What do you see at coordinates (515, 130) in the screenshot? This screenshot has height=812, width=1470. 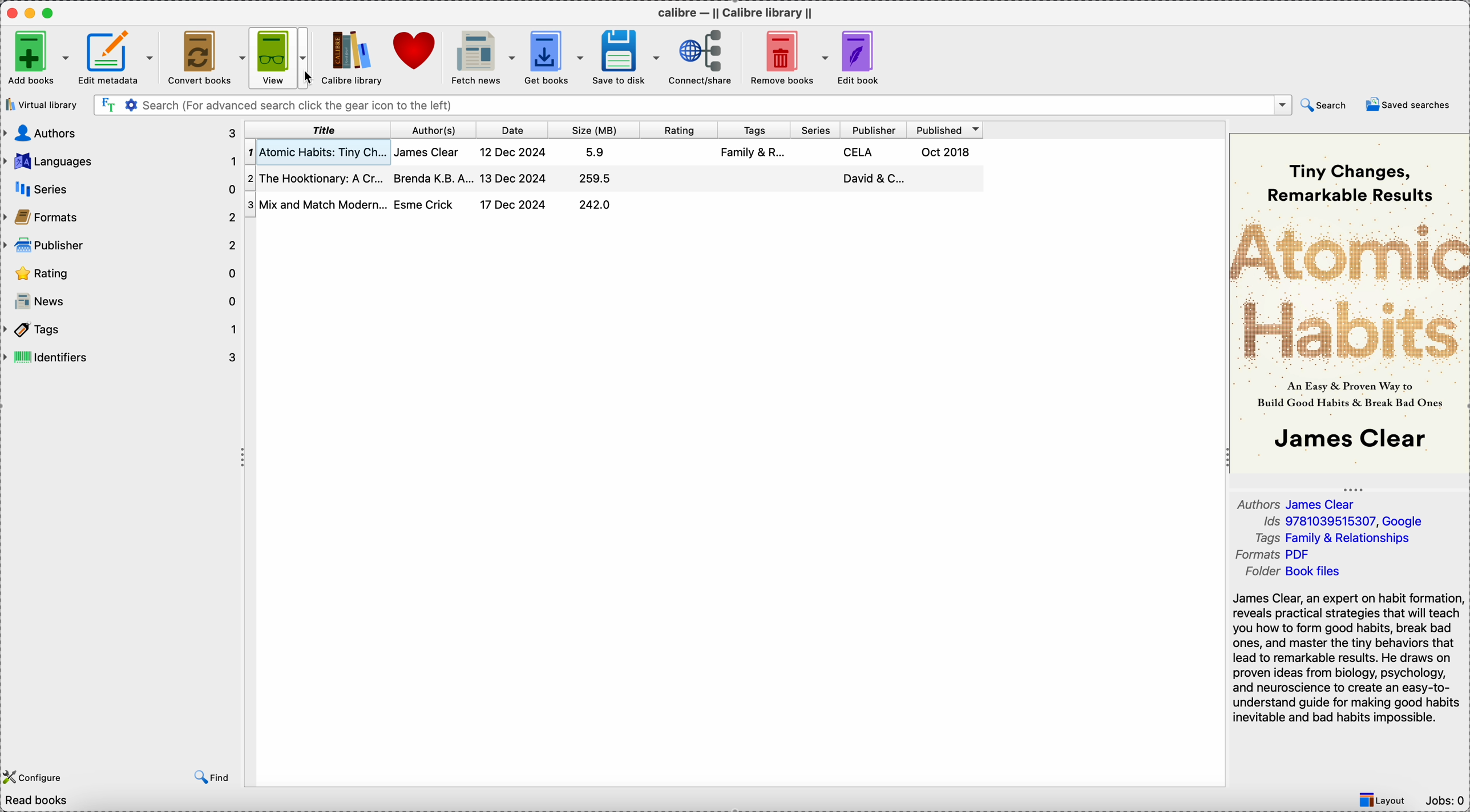 I see `date` at bounding box center [515, 130].